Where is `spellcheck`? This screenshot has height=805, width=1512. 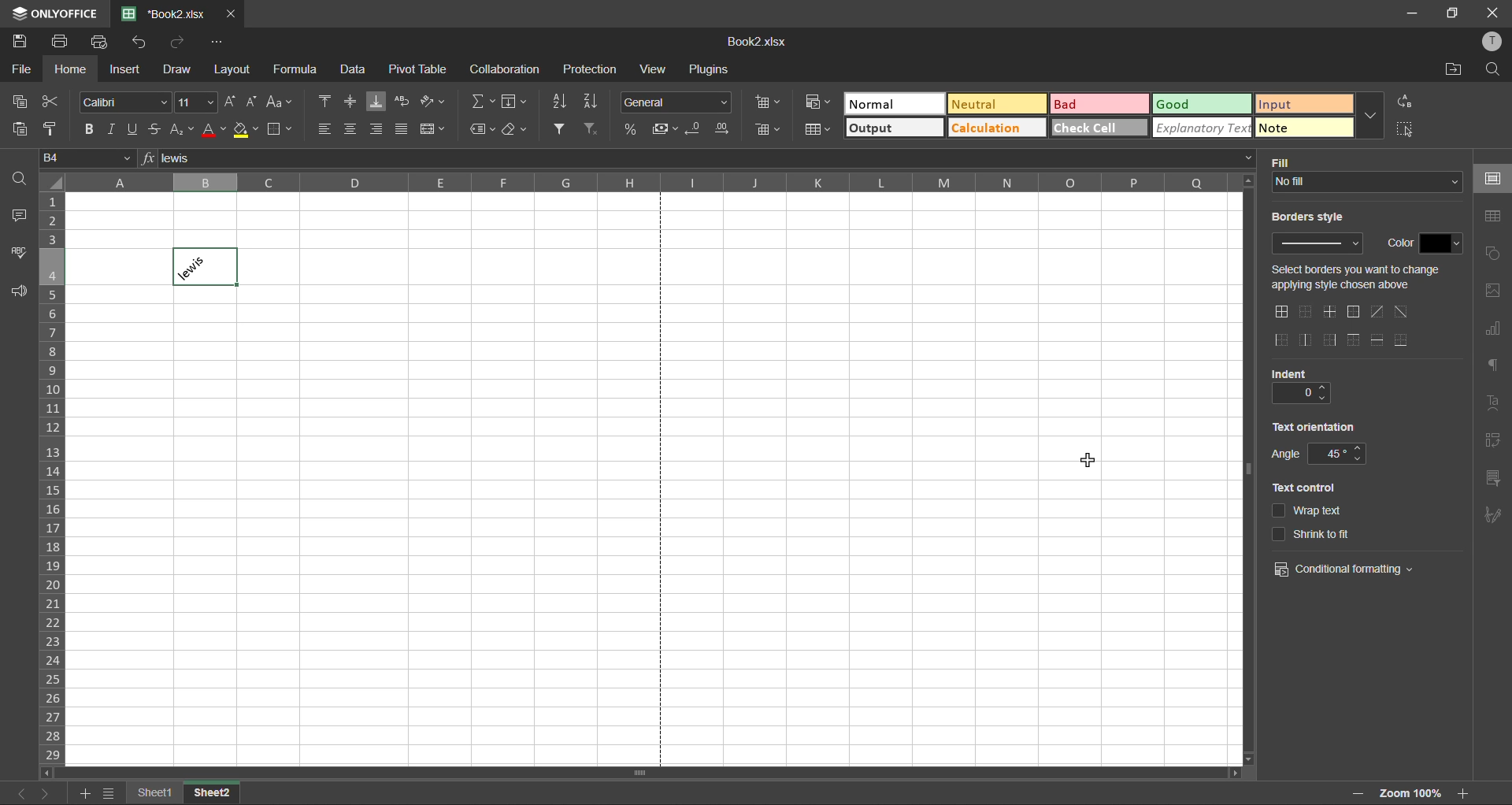
spellcheck is located at coordinates (19, 252).